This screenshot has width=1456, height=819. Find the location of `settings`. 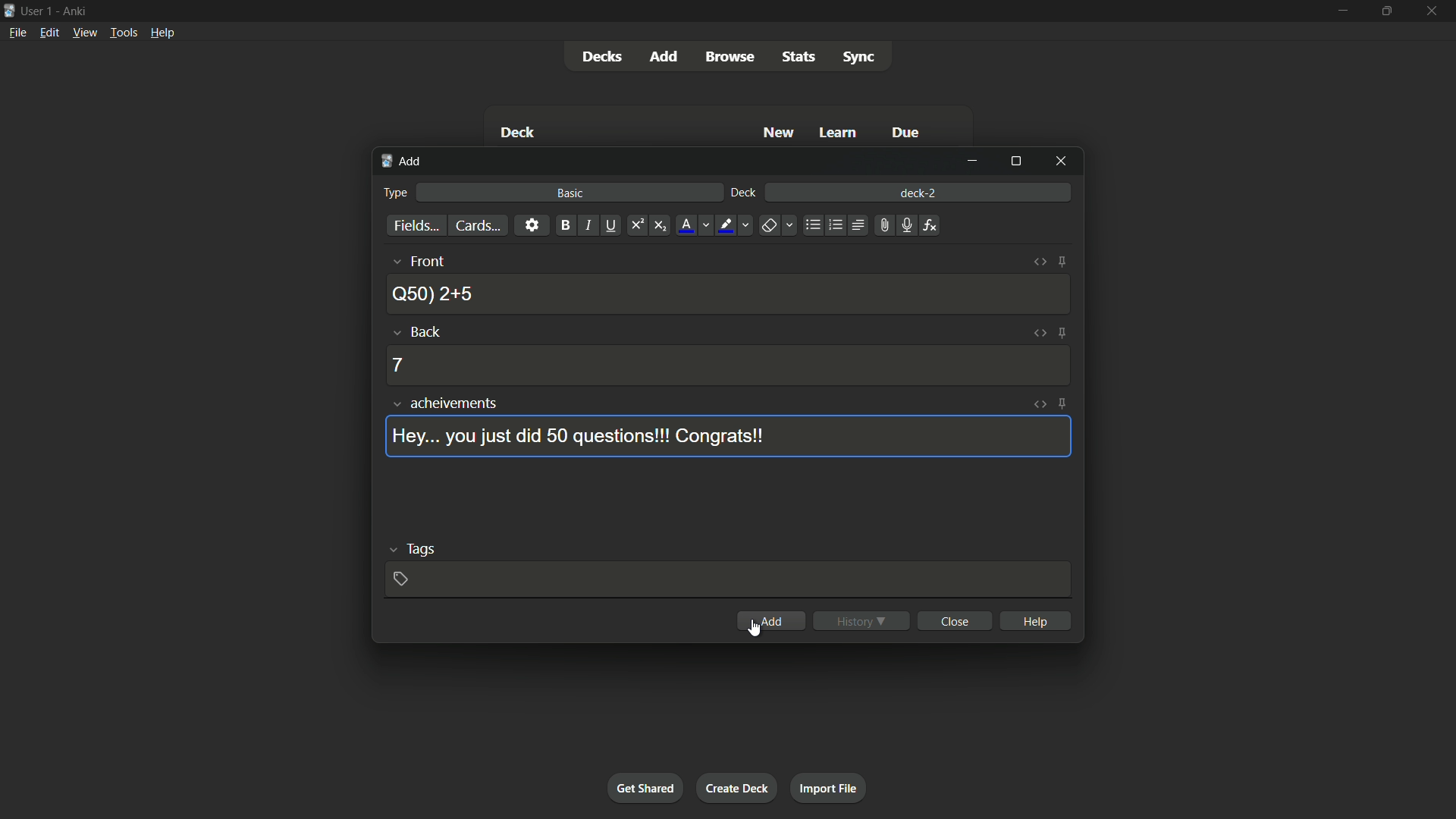

settings is located at coordinates (533, 225).